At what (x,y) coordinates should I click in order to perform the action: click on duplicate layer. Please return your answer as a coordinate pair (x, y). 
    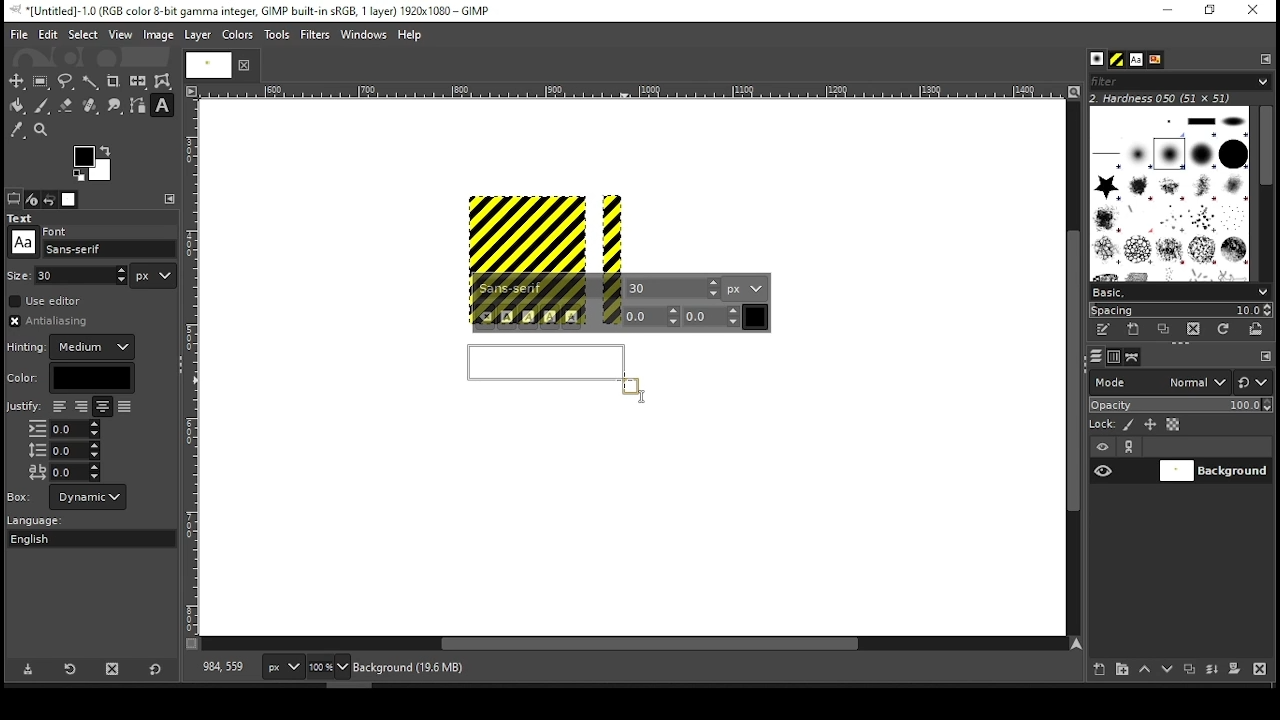
    Looking at the image, I should click on (1192, 671).